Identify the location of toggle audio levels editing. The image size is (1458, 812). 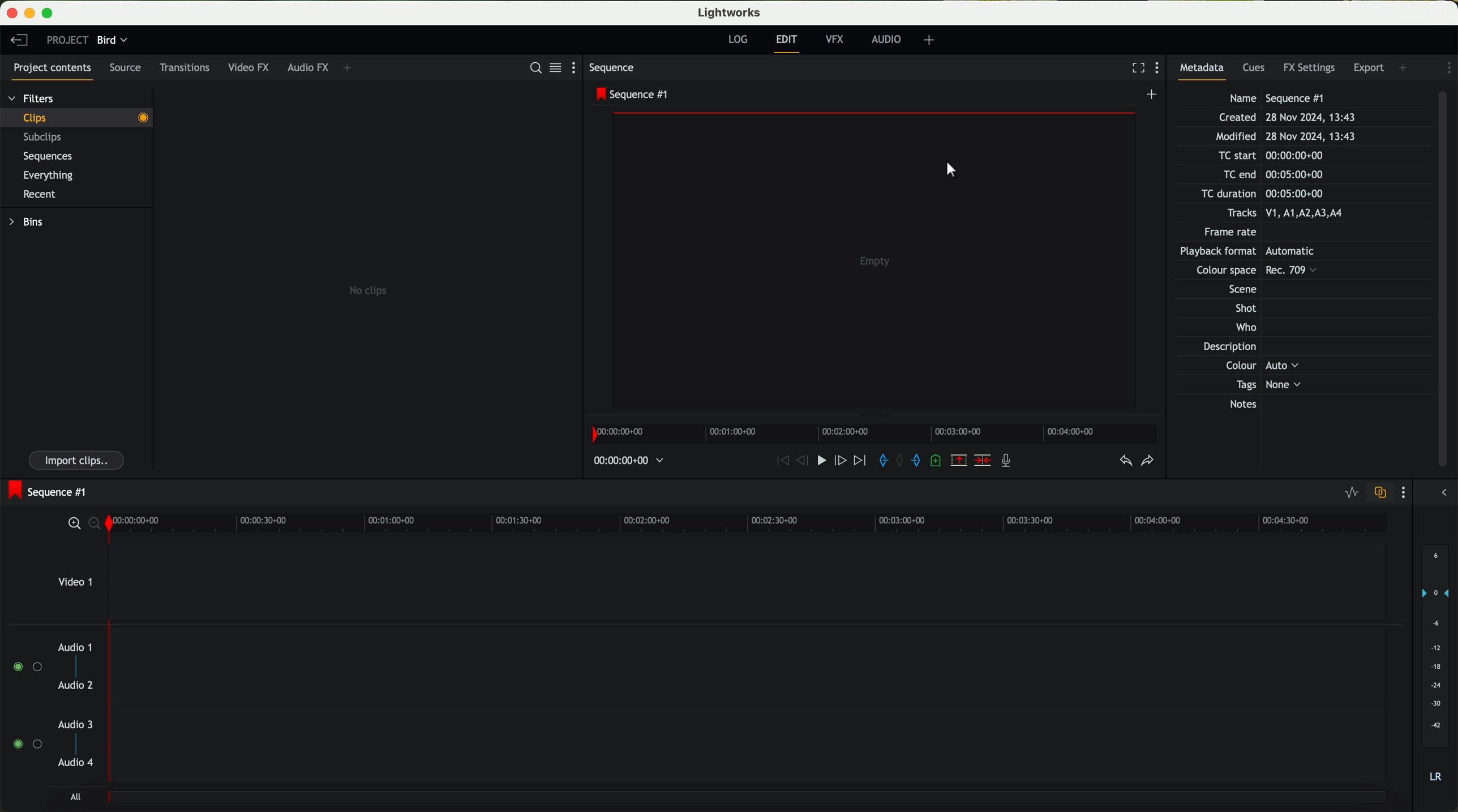
(1345, 494).